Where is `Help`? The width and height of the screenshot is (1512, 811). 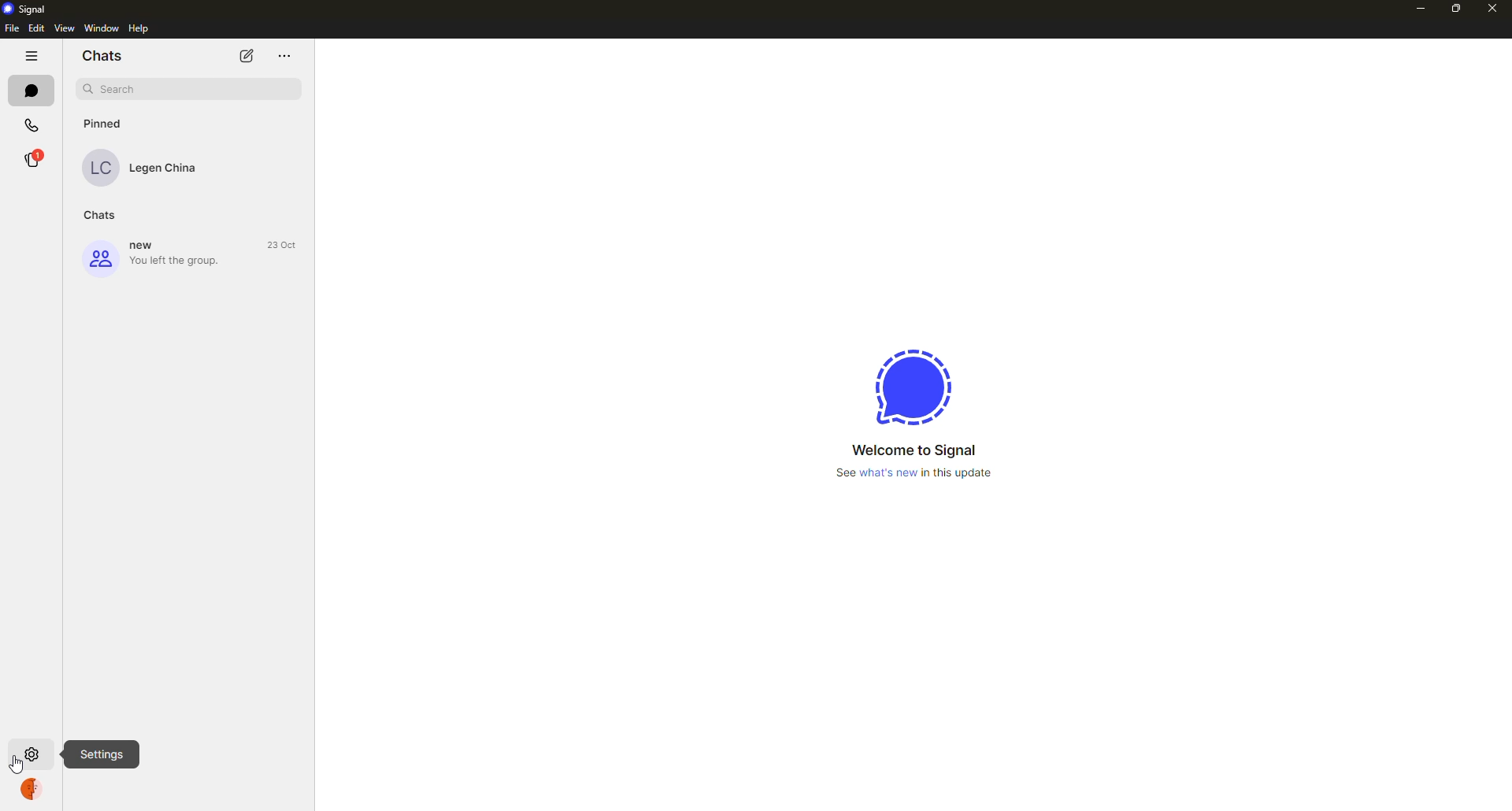 Help is located at coordinates (139, 28).